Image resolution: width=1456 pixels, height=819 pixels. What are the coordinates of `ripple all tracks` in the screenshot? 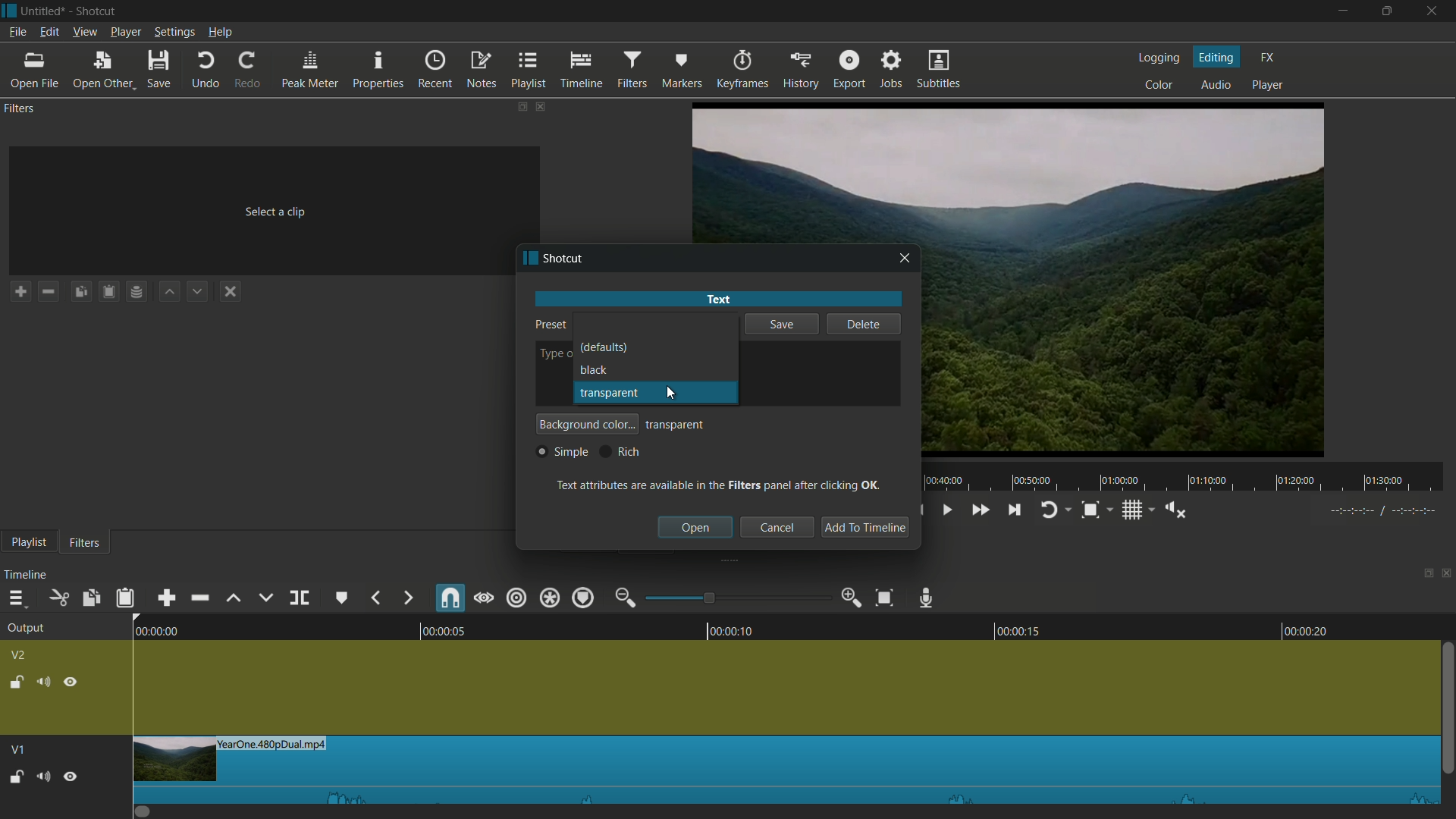 It's located at (549, 598).